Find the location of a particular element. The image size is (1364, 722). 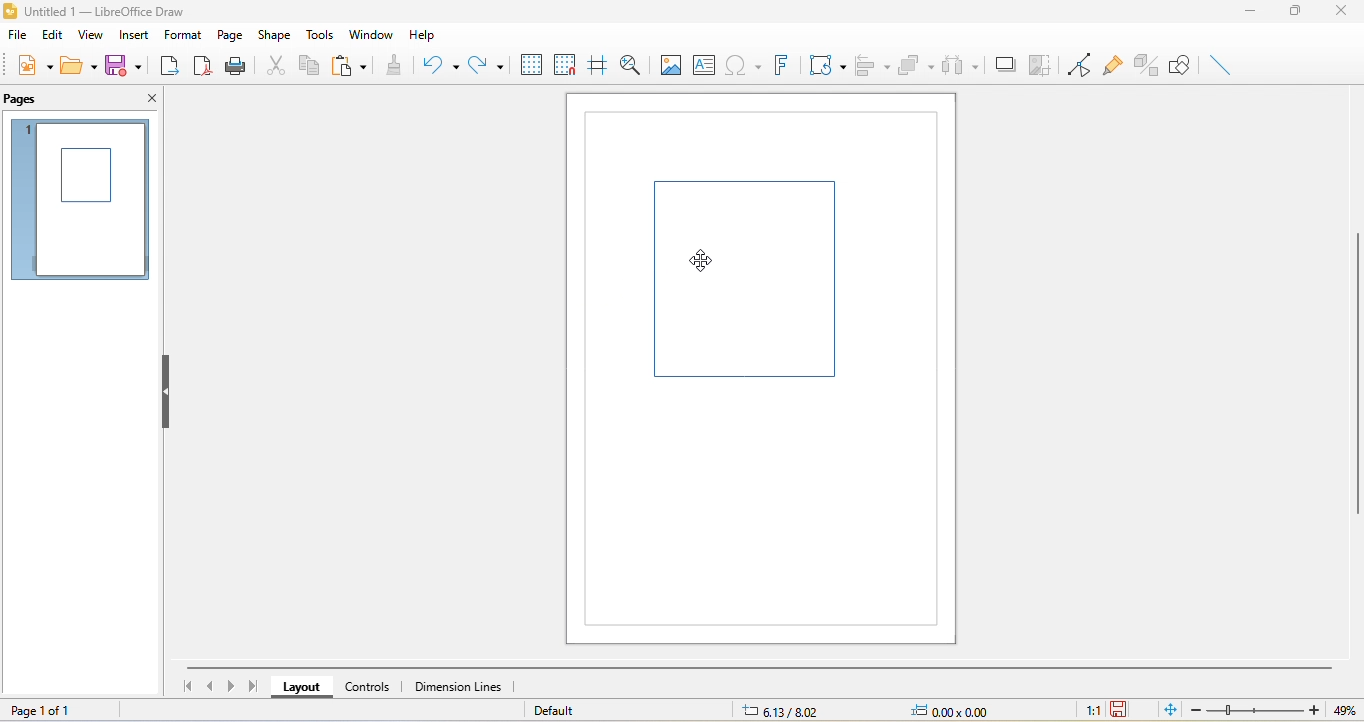

help is located at coordinates (426, 34).